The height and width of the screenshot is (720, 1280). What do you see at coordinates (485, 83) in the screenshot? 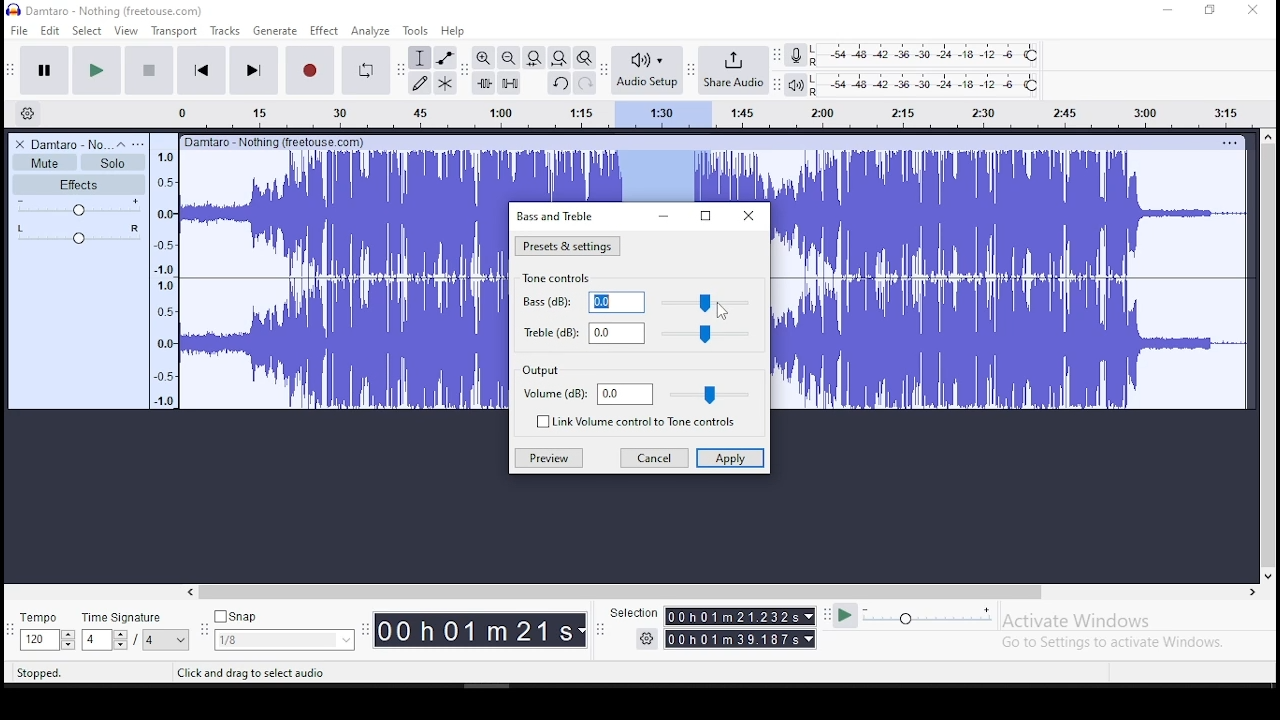
I see `trim audio outside selection` at bounding box center [485, 83].